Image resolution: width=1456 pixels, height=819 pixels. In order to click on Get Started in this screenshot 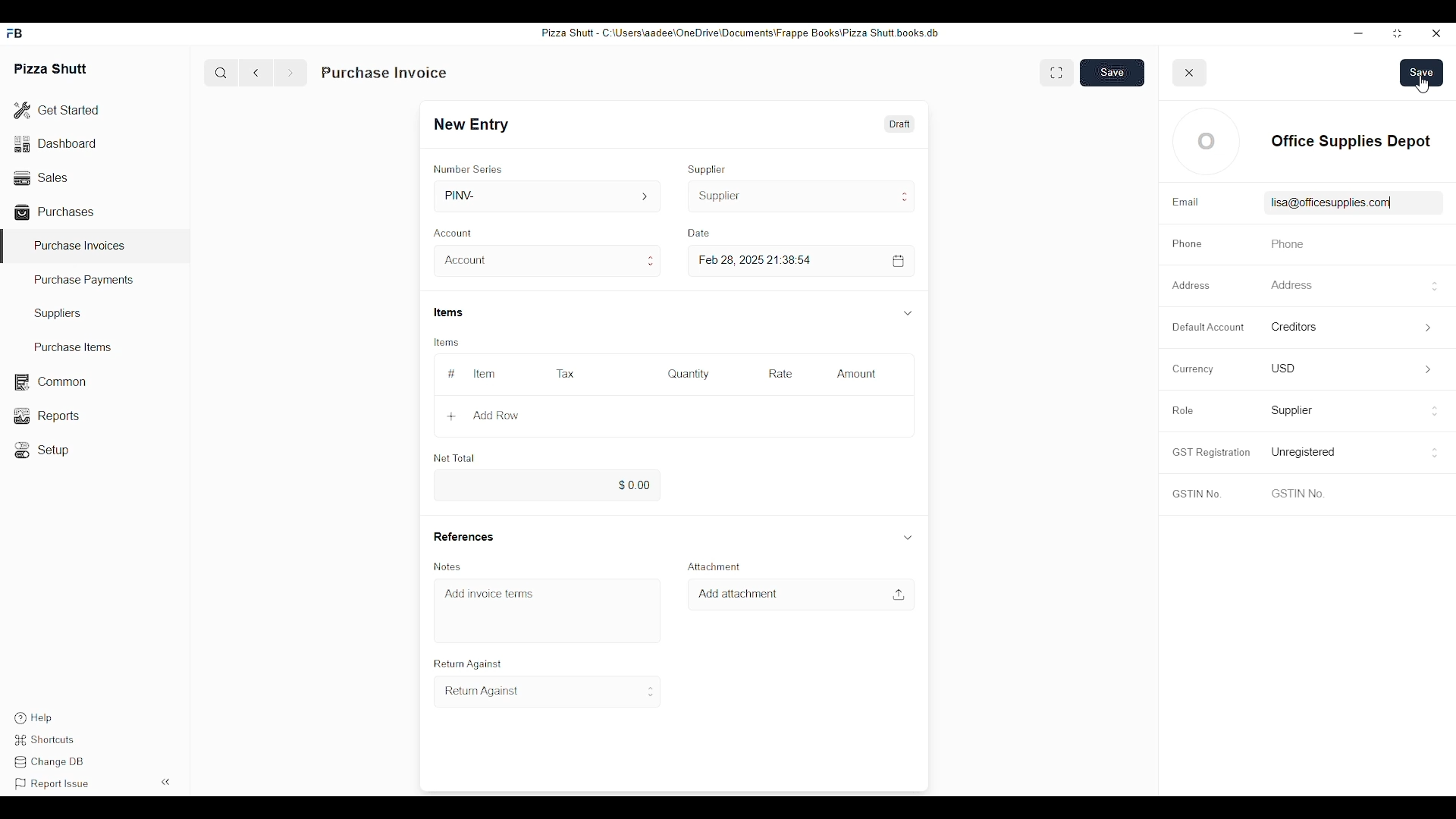, I will do `click(57, 111)`.